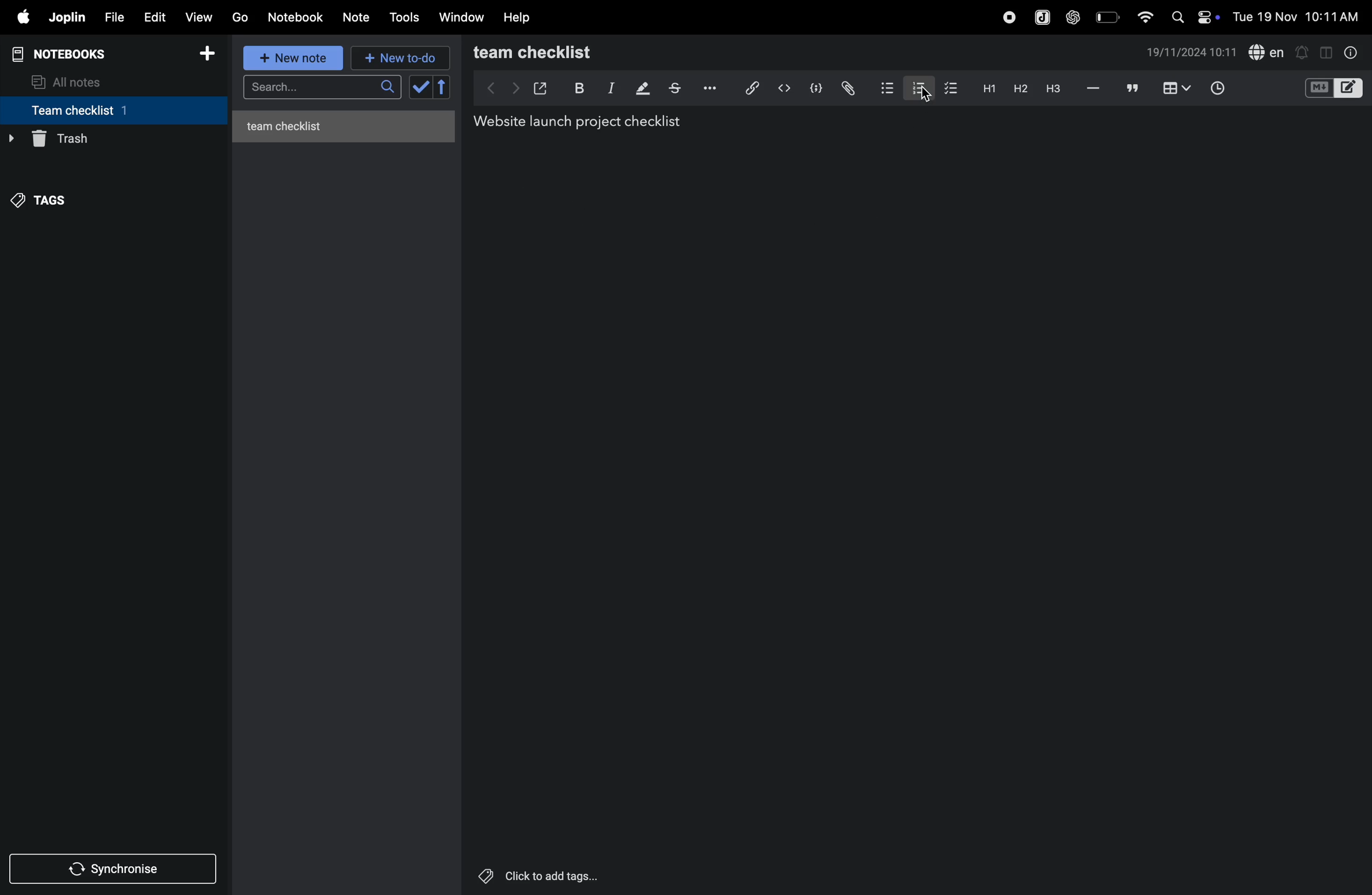  What do you see at coordinates (212, 54) in the screenshot?
I see `add` at bounding box center [212, 54].